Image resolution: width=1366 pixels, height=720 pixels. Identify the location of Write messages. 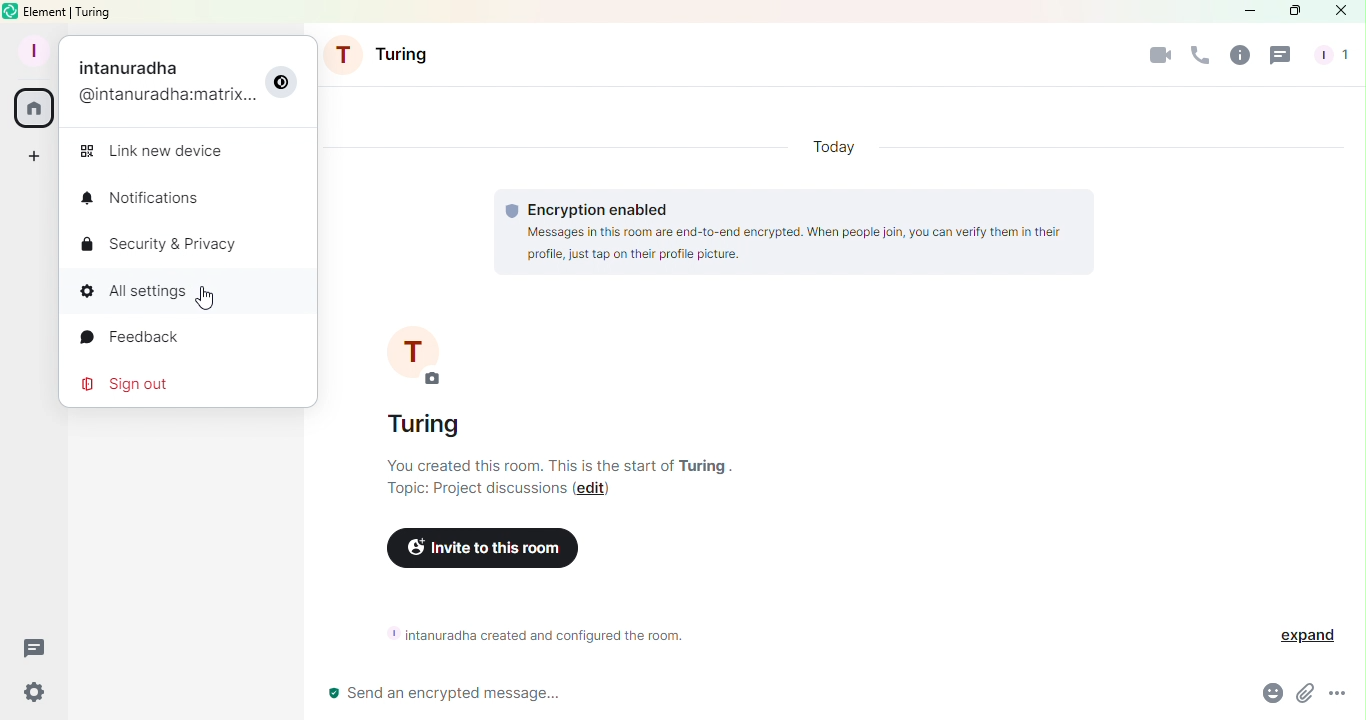
(750, 694).